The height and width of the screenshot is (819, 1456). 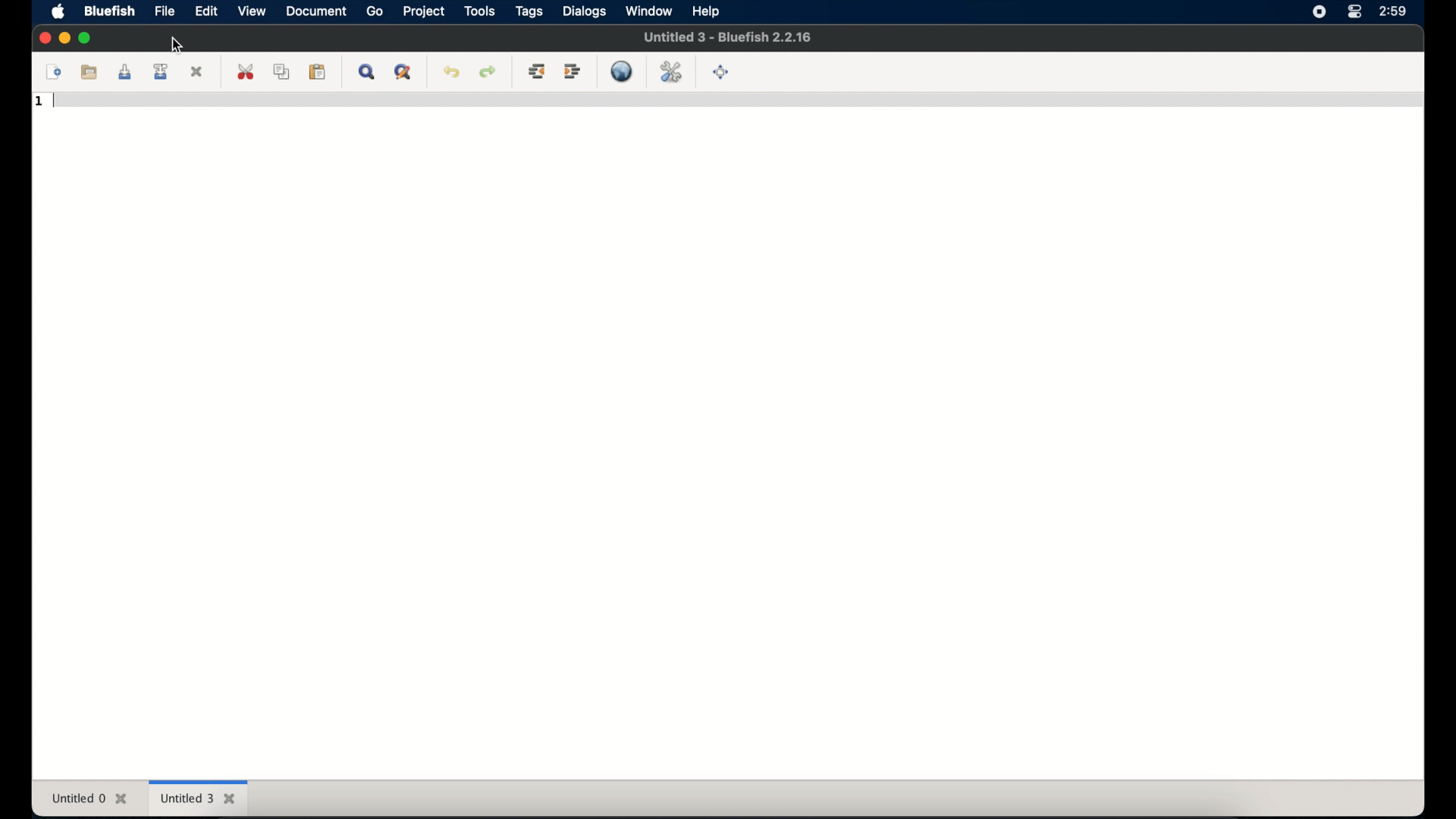 I want to click on screen recorder icon, so click(x=1318, y=12).